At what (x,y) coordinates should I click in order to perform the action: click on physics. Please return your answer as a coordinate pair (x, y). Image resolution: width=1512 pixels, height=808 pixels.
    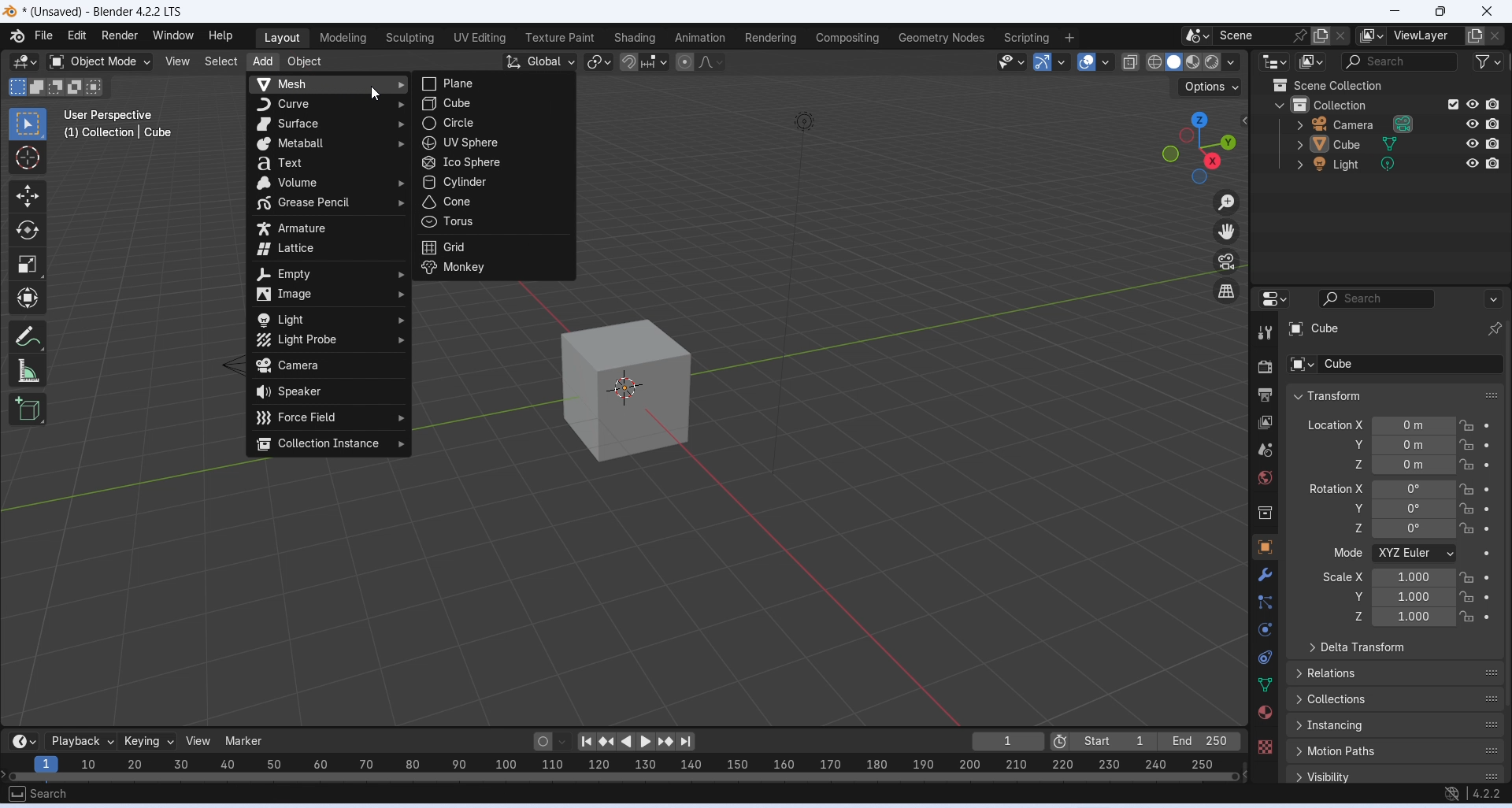
    Looking at the image, I should click on (1267, 629).